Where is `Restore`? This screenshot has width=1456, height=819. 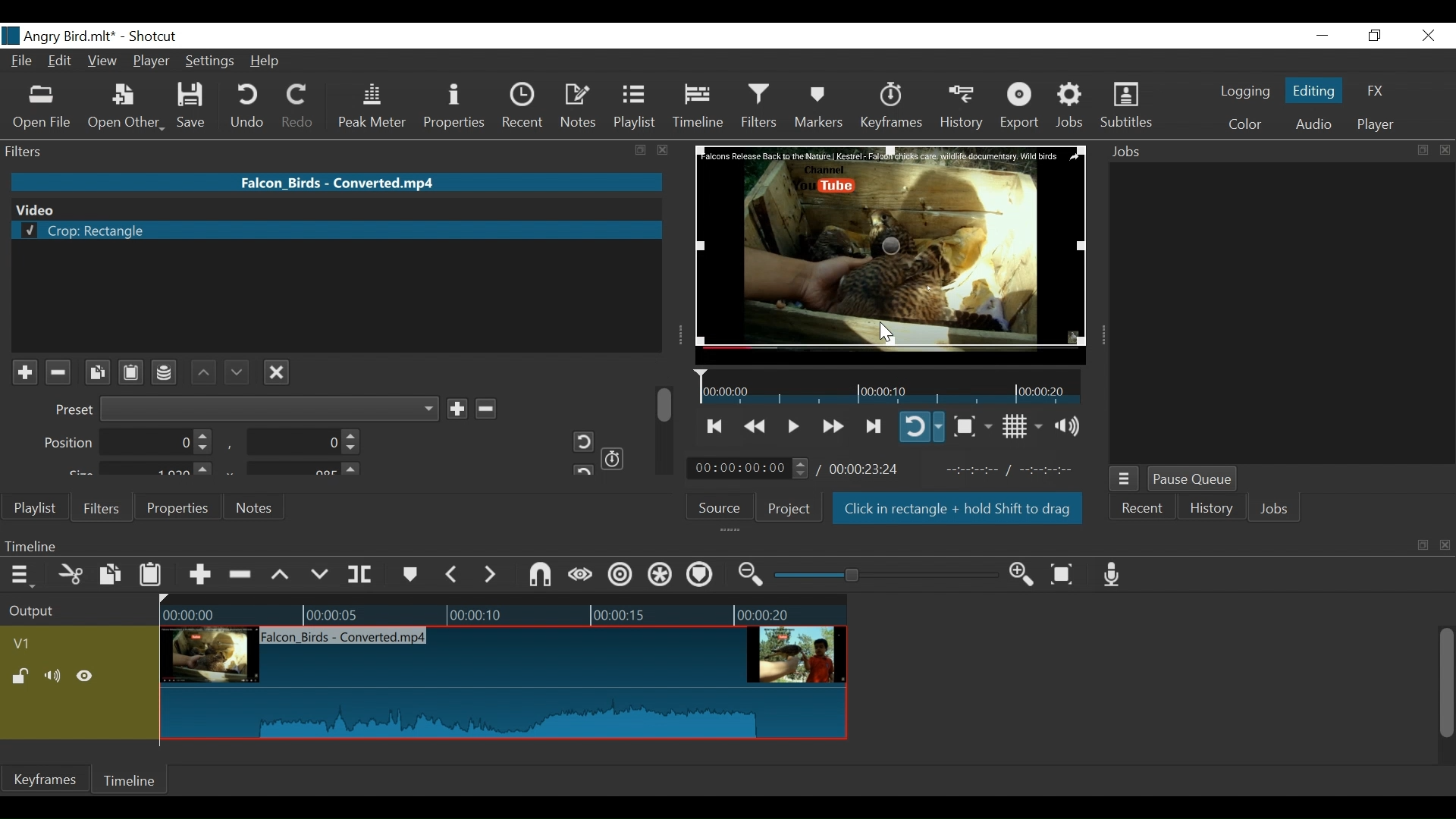 Restore is located at coordinates (1375, 36).